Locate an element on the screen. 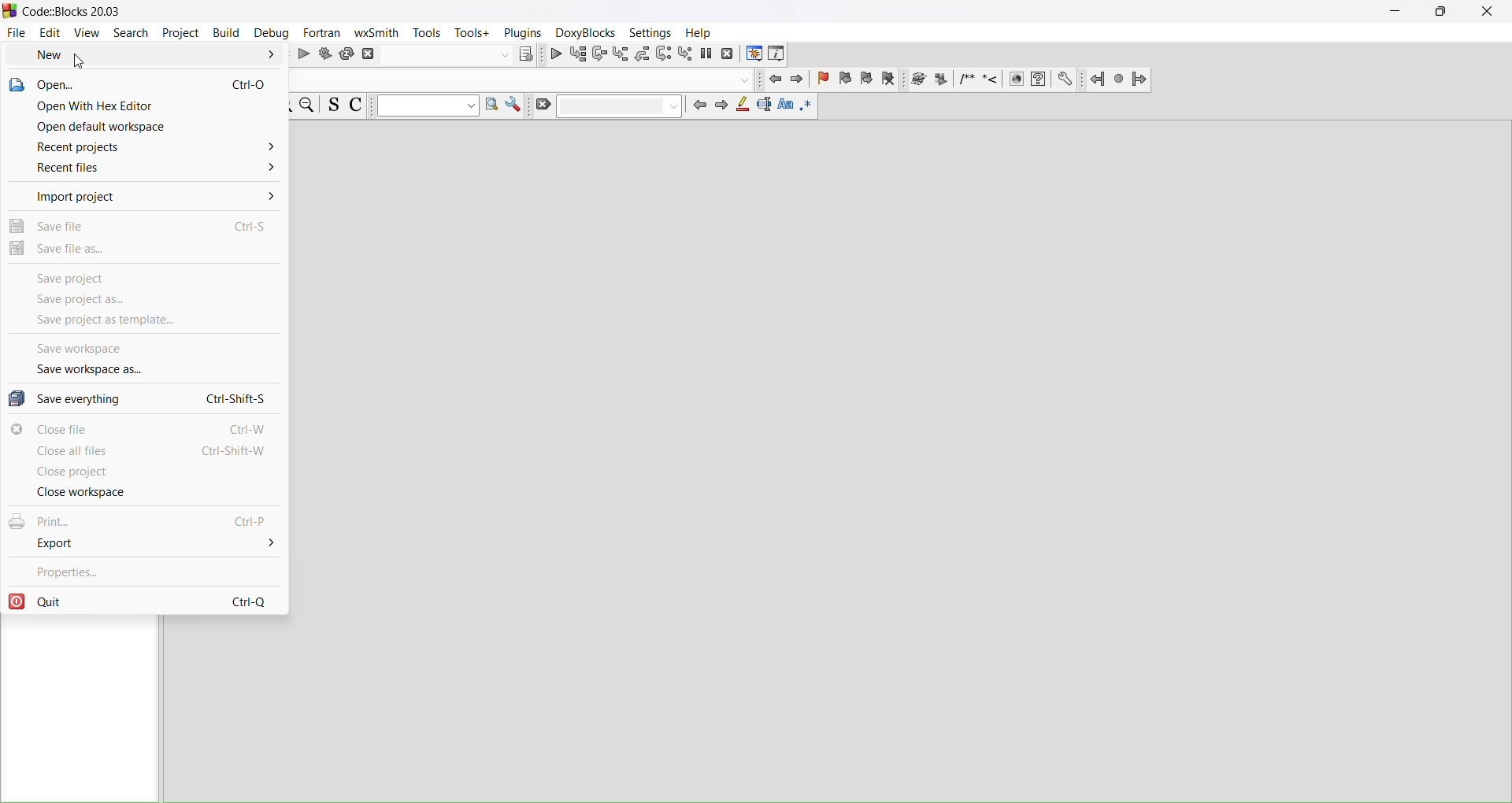  debugging windows is located at coordinates (751, 52).